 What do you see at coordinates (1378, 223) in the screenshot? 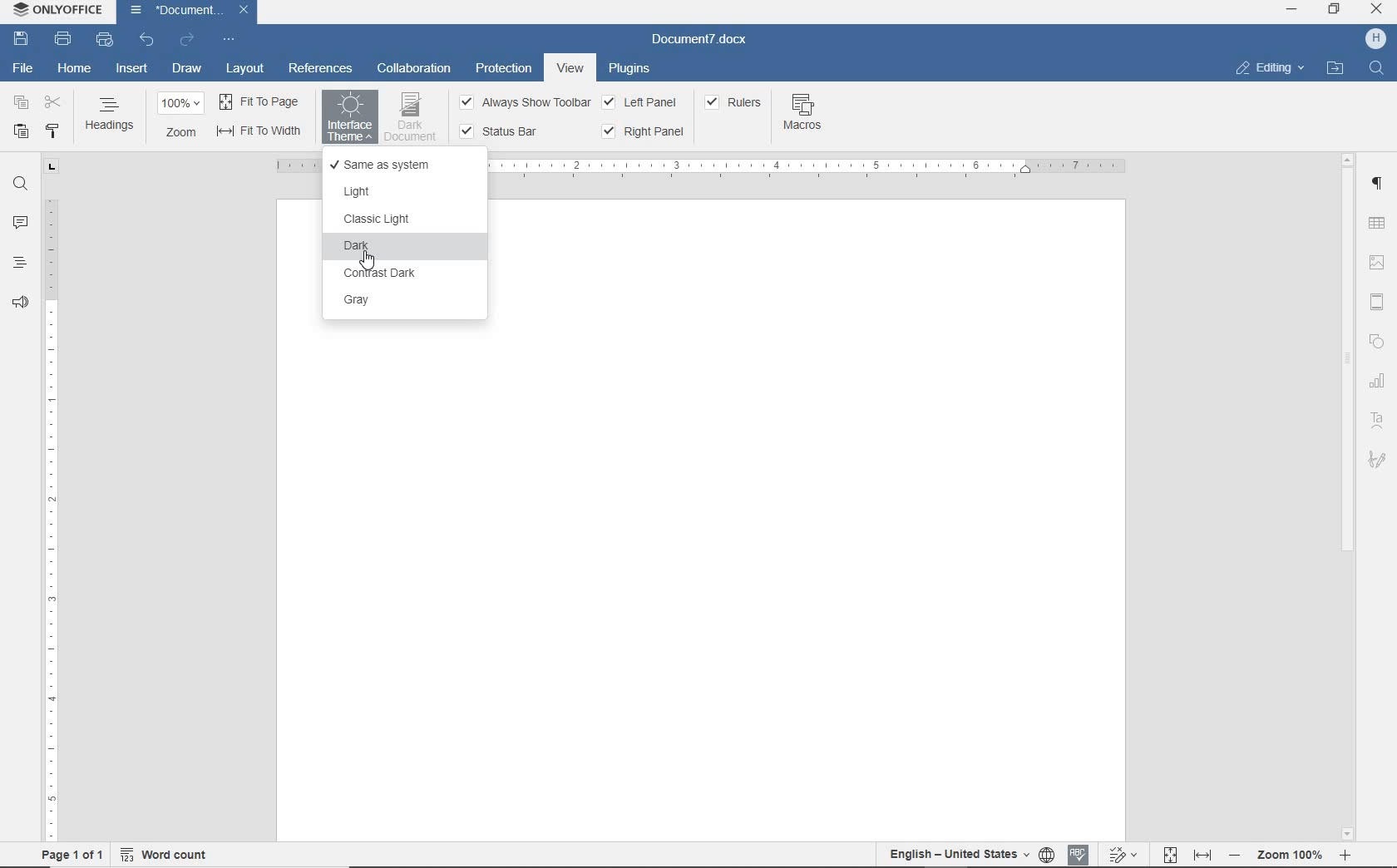
I see `TABLE` at bounding box center [1378, 223].